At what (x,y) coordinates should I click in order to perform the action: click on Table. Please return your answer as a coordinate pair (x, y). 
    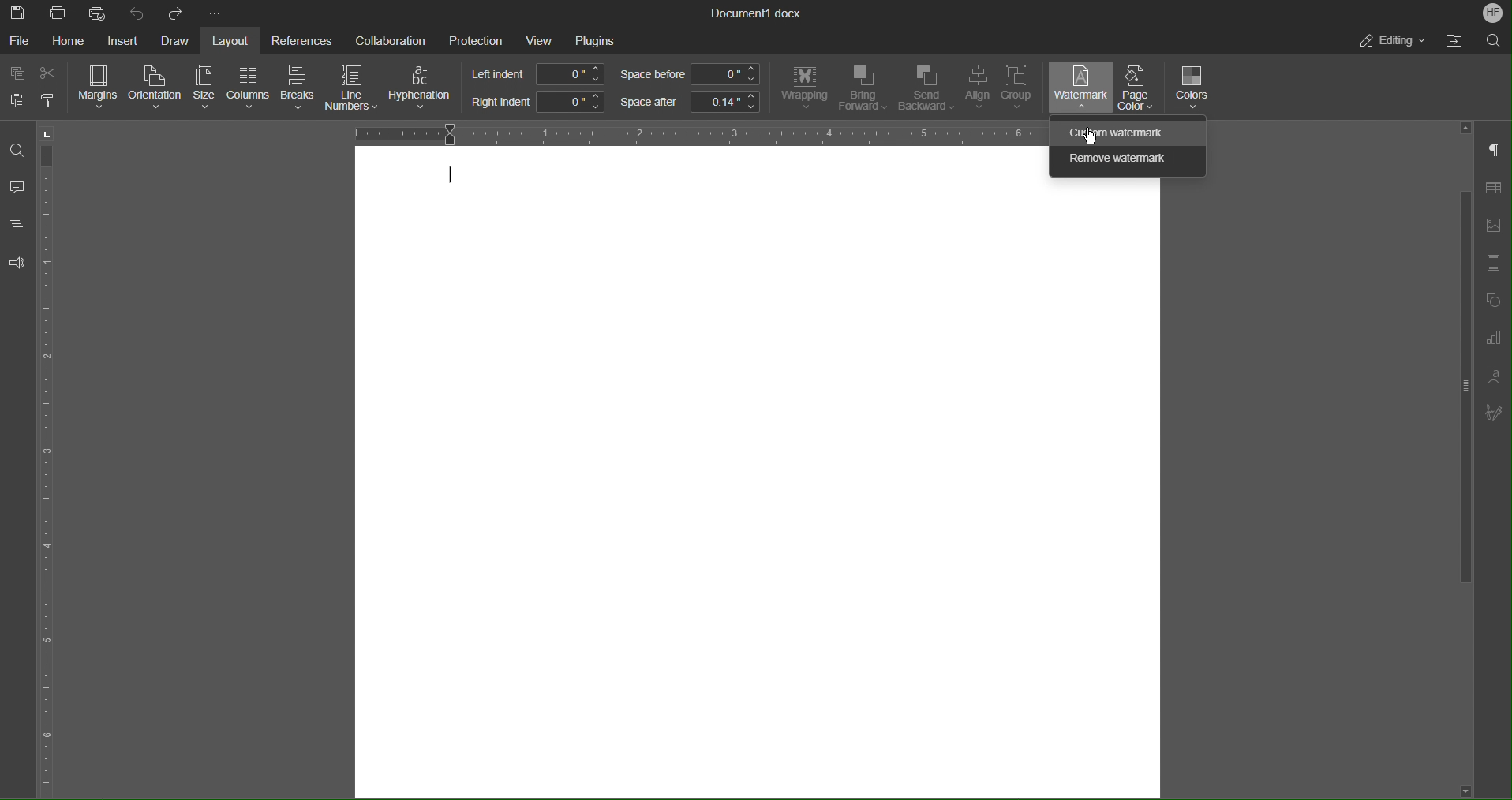
    Looking at the image, I should click on (1493, 191).